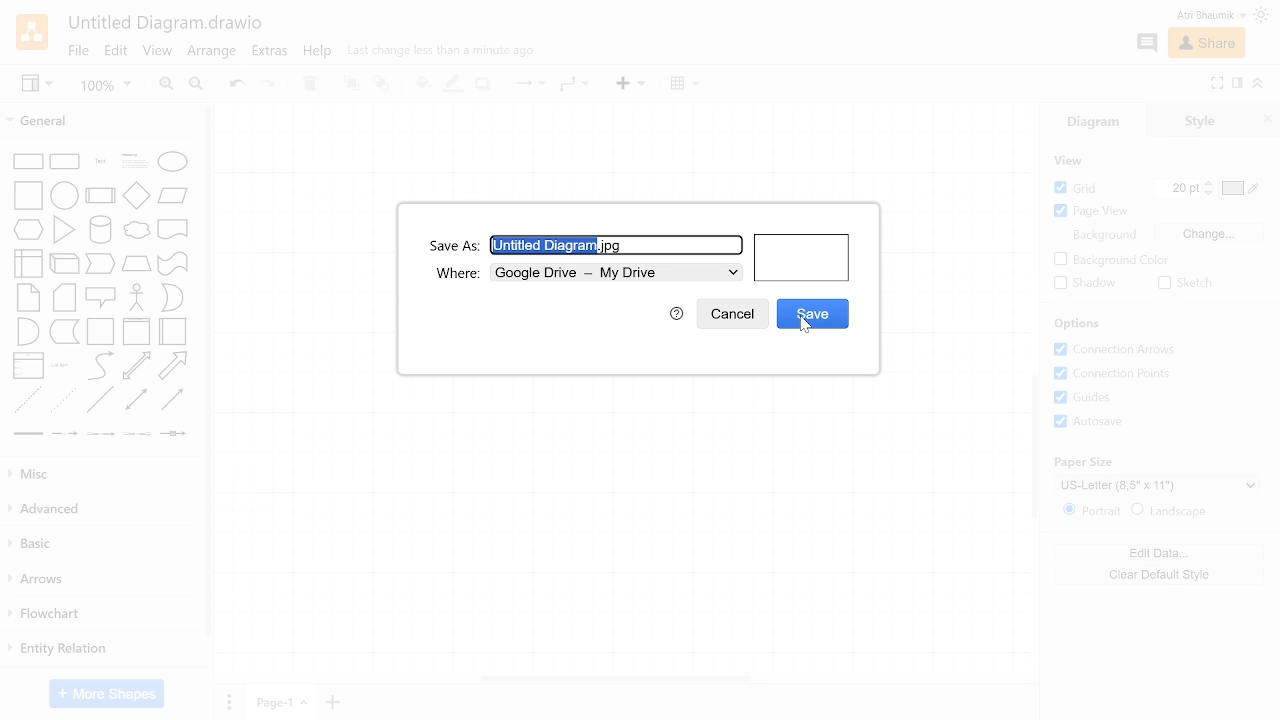 Image resolution: width=1280 pixels, height=720 pixels. What do you see at coordinates (105, 575) in the screenshot?
I see `Arrows` at bounding box center [105, 575].